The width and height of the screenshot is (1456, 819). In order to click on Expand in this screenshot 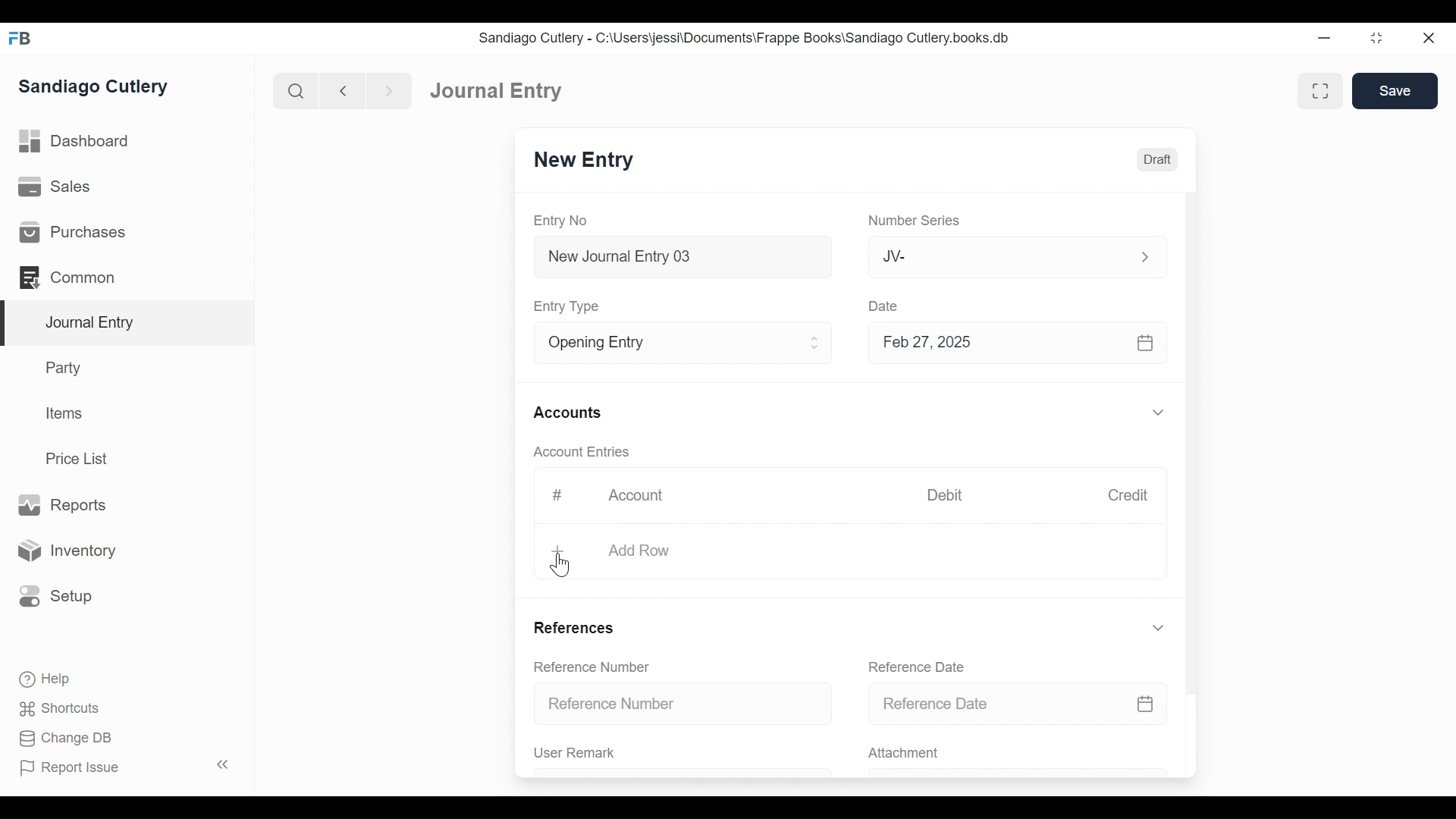, I will do `click(1160, 412)`.